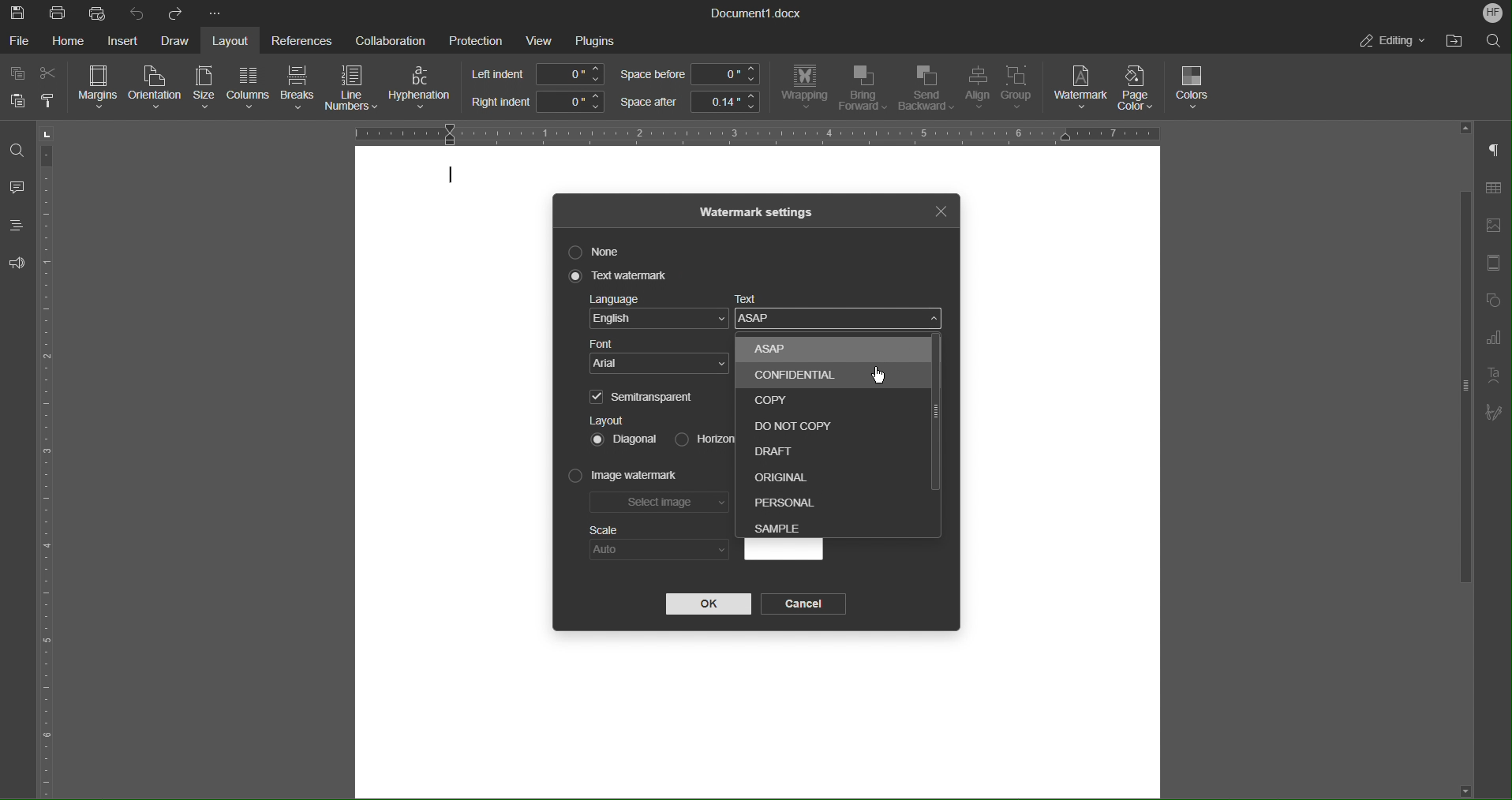 The height and width of the screenshot is (800, 1512). I want to click on Left indent, so click(539, 74).